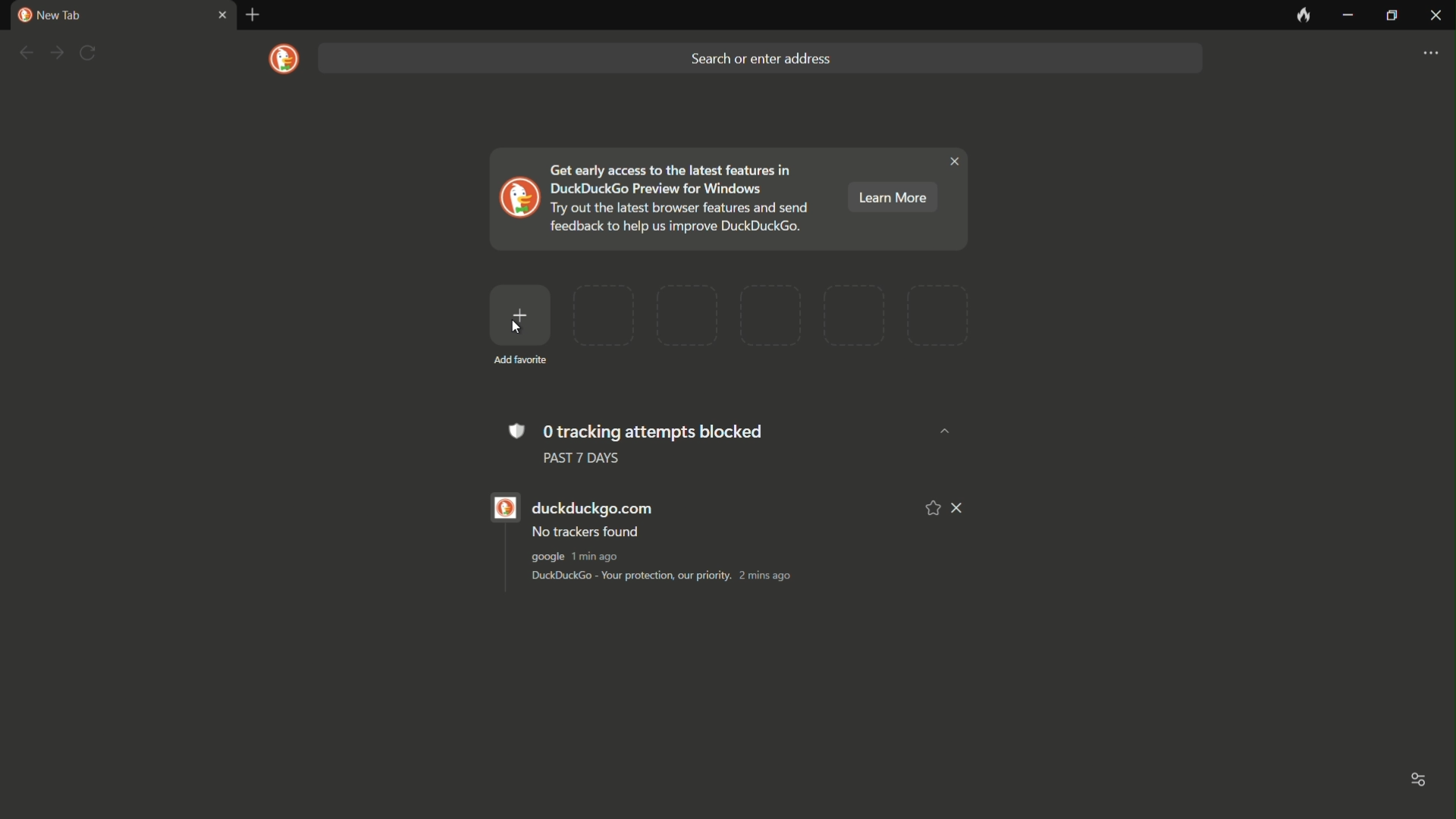 The width and height of the screenshot is (1456, 819). What do you see at coordinates (1435, 16) in the screenshot?
I see `close app` at bounding box center [1435, 16].